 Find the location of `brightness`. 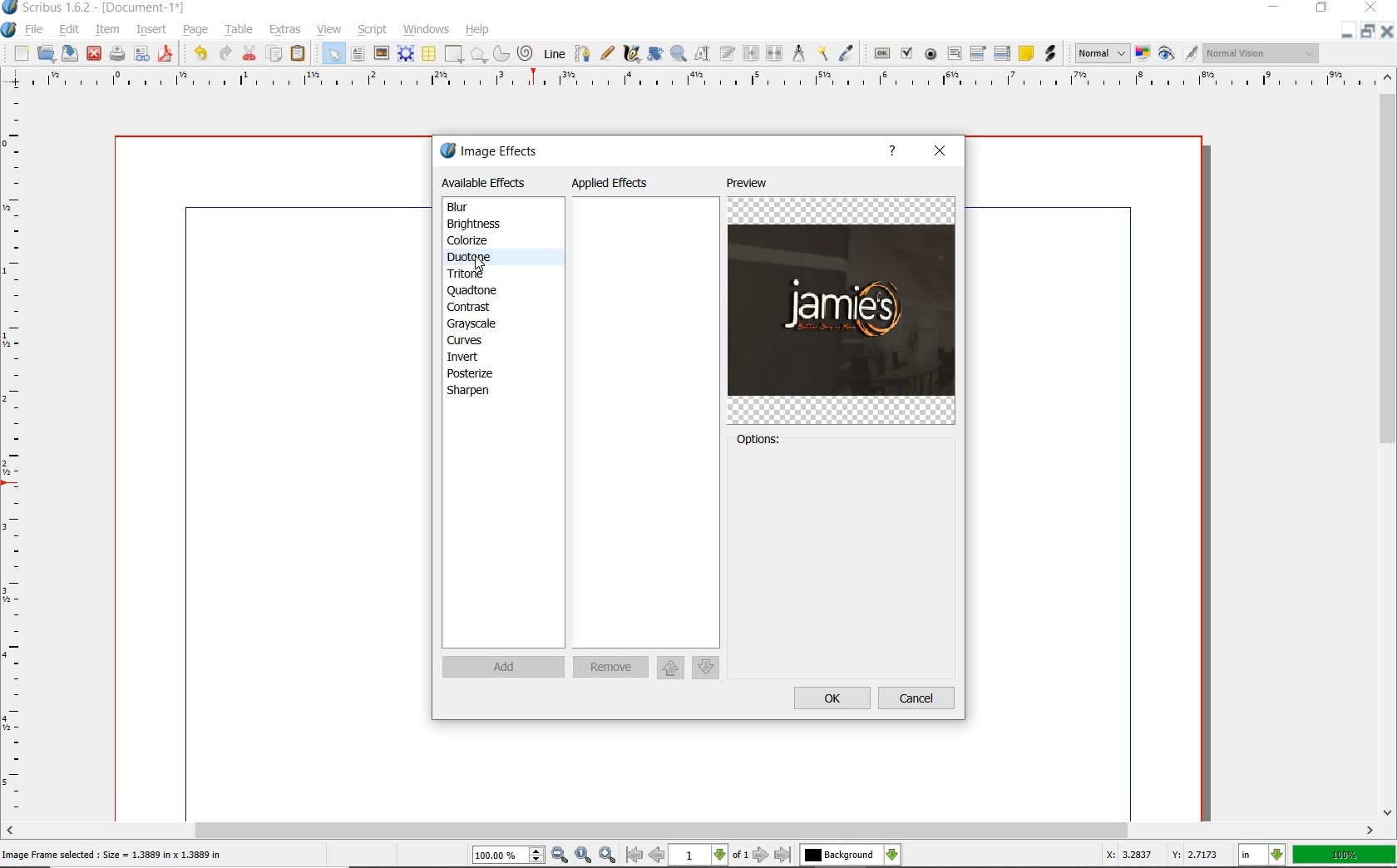

brightness is located at coordinates (481, 223).